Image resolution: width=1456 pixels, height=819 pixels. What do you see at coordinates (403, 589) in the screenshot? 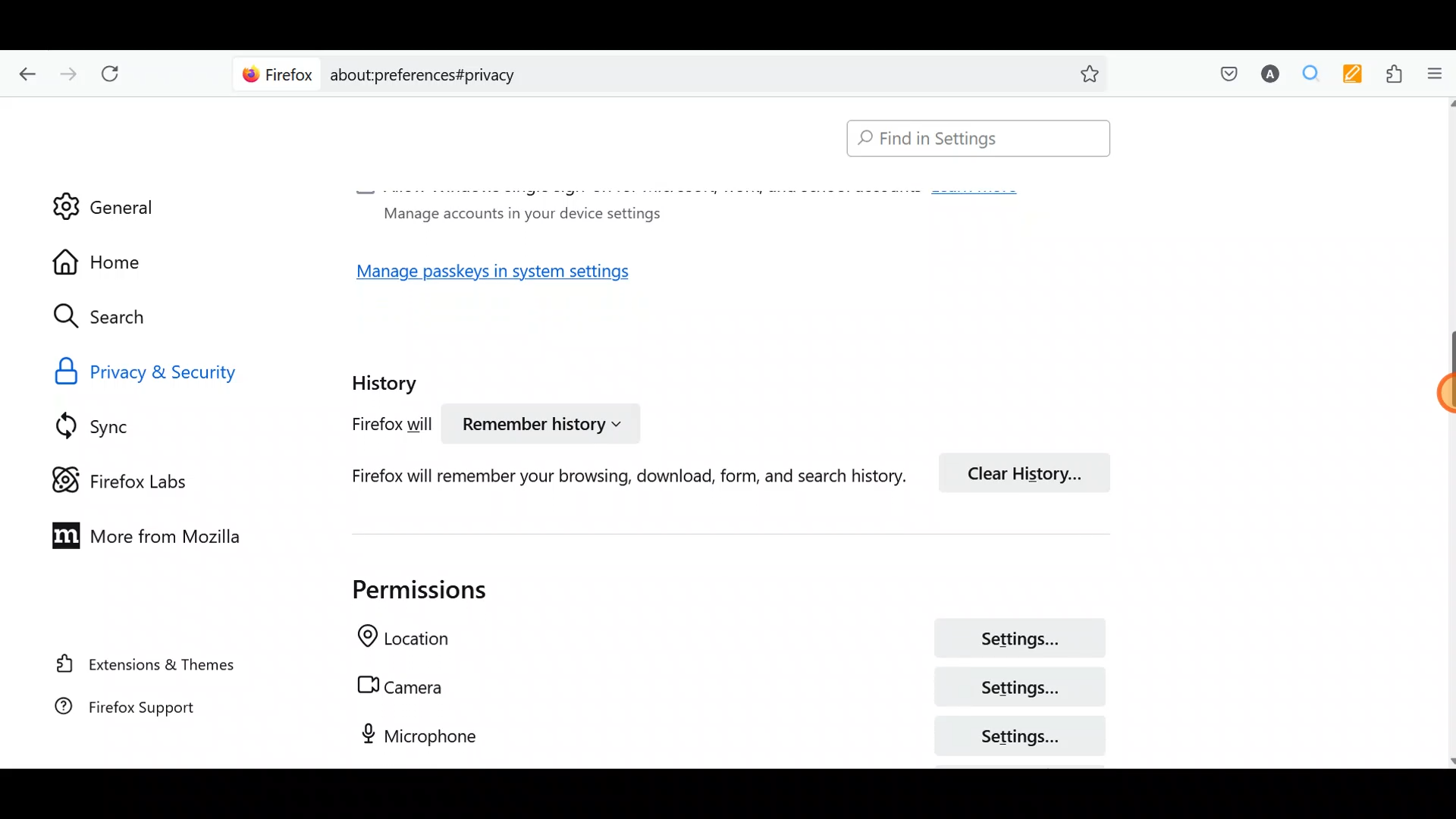
I see `Permissions` at bounding box center [403, 589].